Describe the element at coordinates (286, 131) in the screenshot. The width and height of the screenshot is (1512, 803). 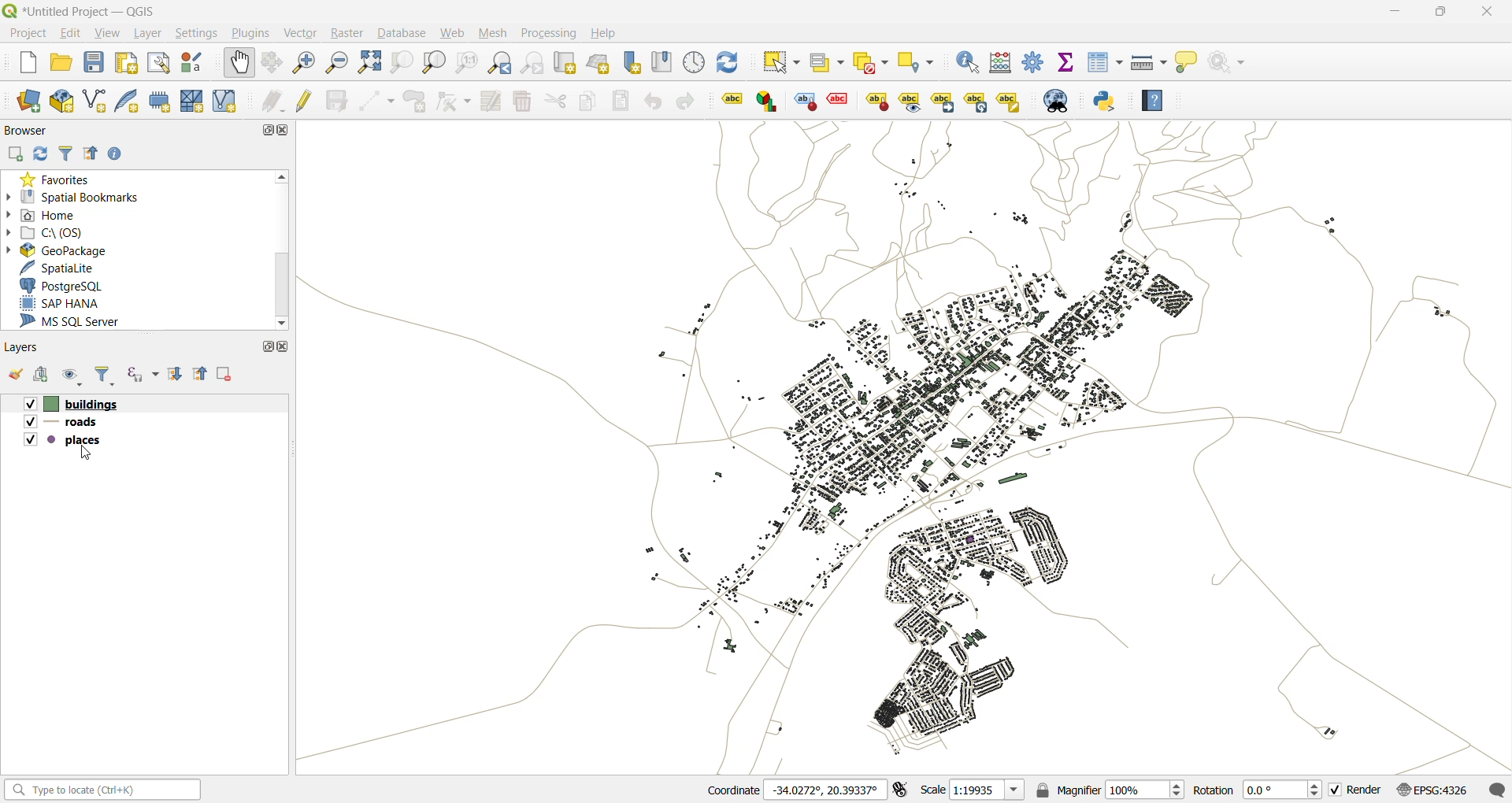
I see `close` at that location.